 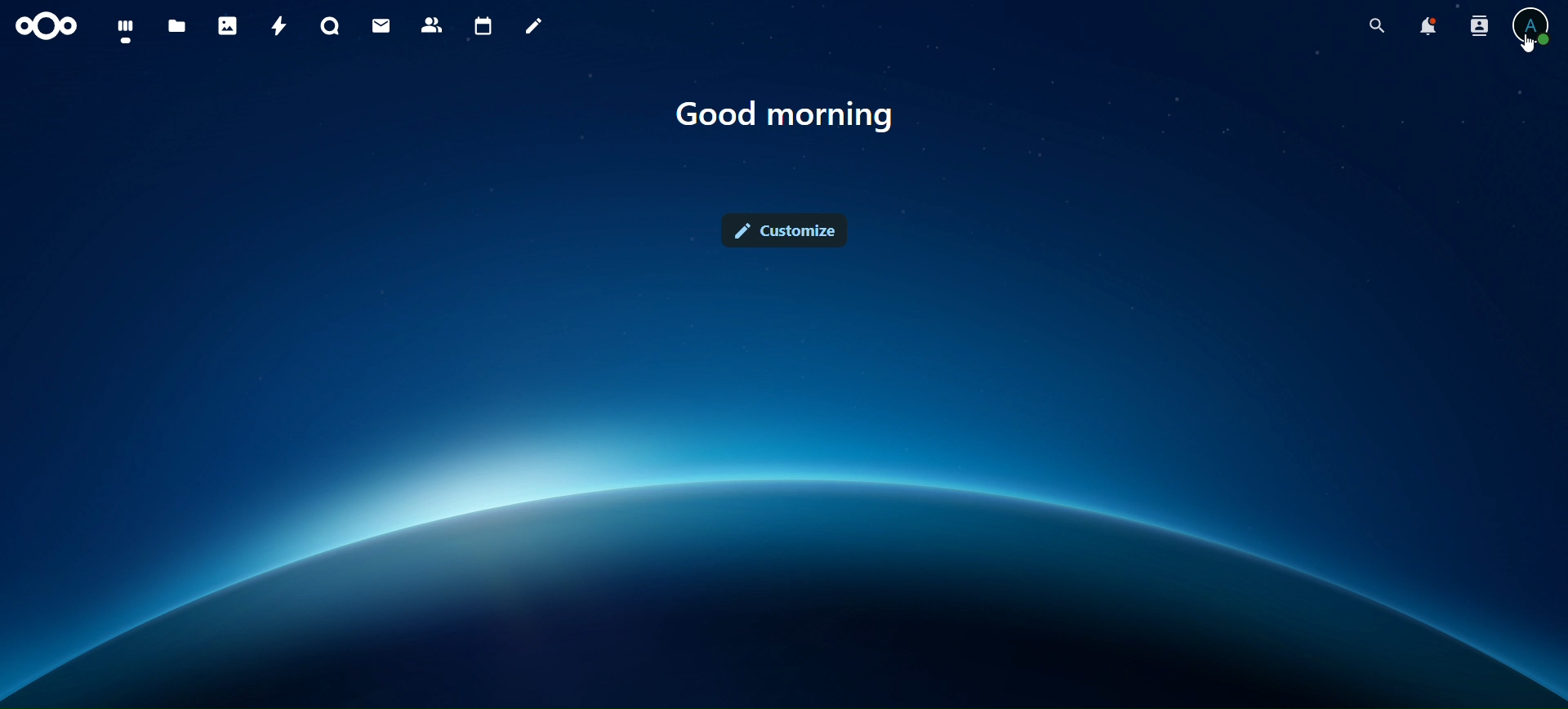 What do you see at coordinates (432, 26) in the screenshot?
I see `contacts` at bounding box center [432, 26].